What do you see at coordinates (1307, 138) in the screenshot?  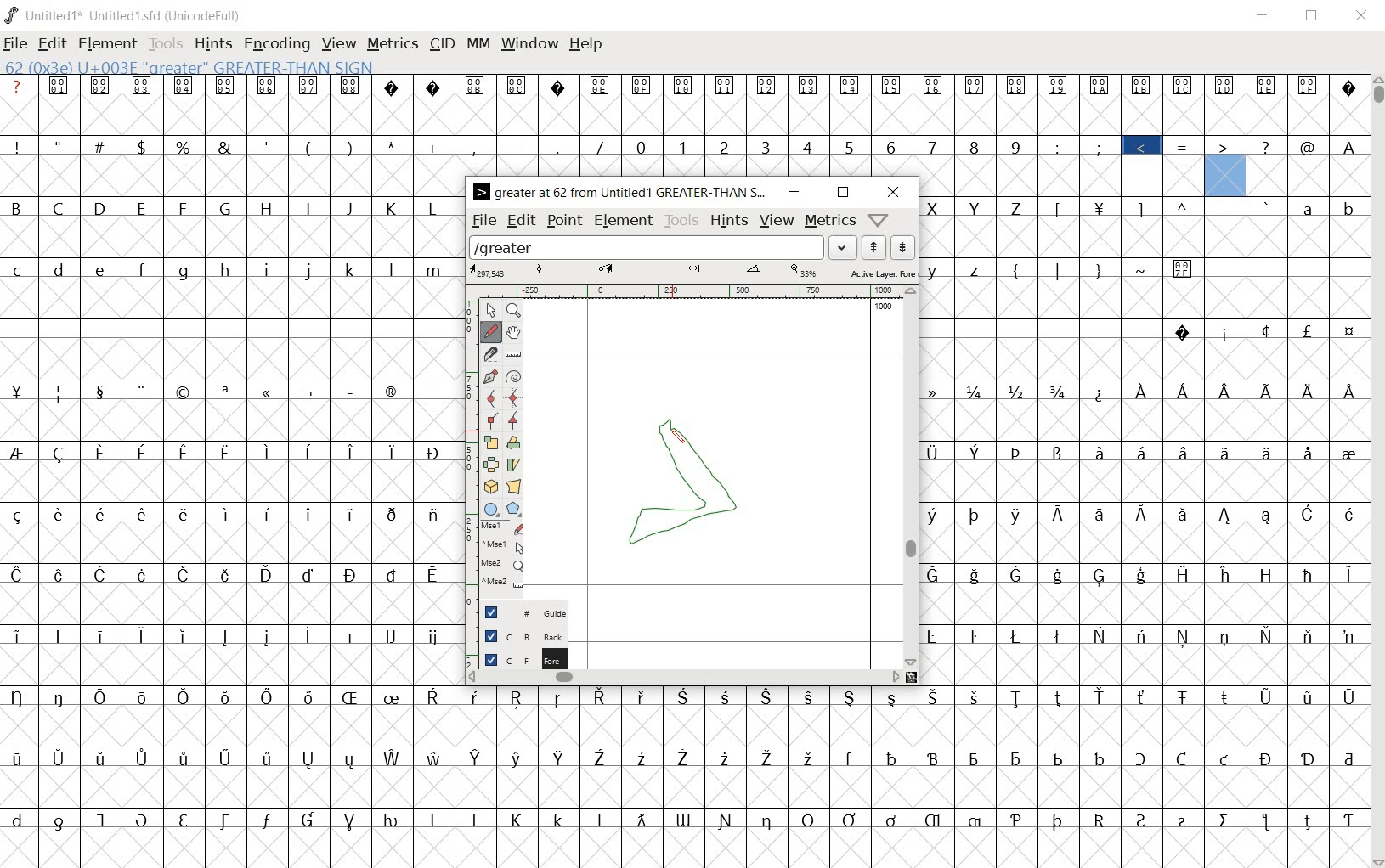 I see `glyps` at bounding box center [1307, 138].